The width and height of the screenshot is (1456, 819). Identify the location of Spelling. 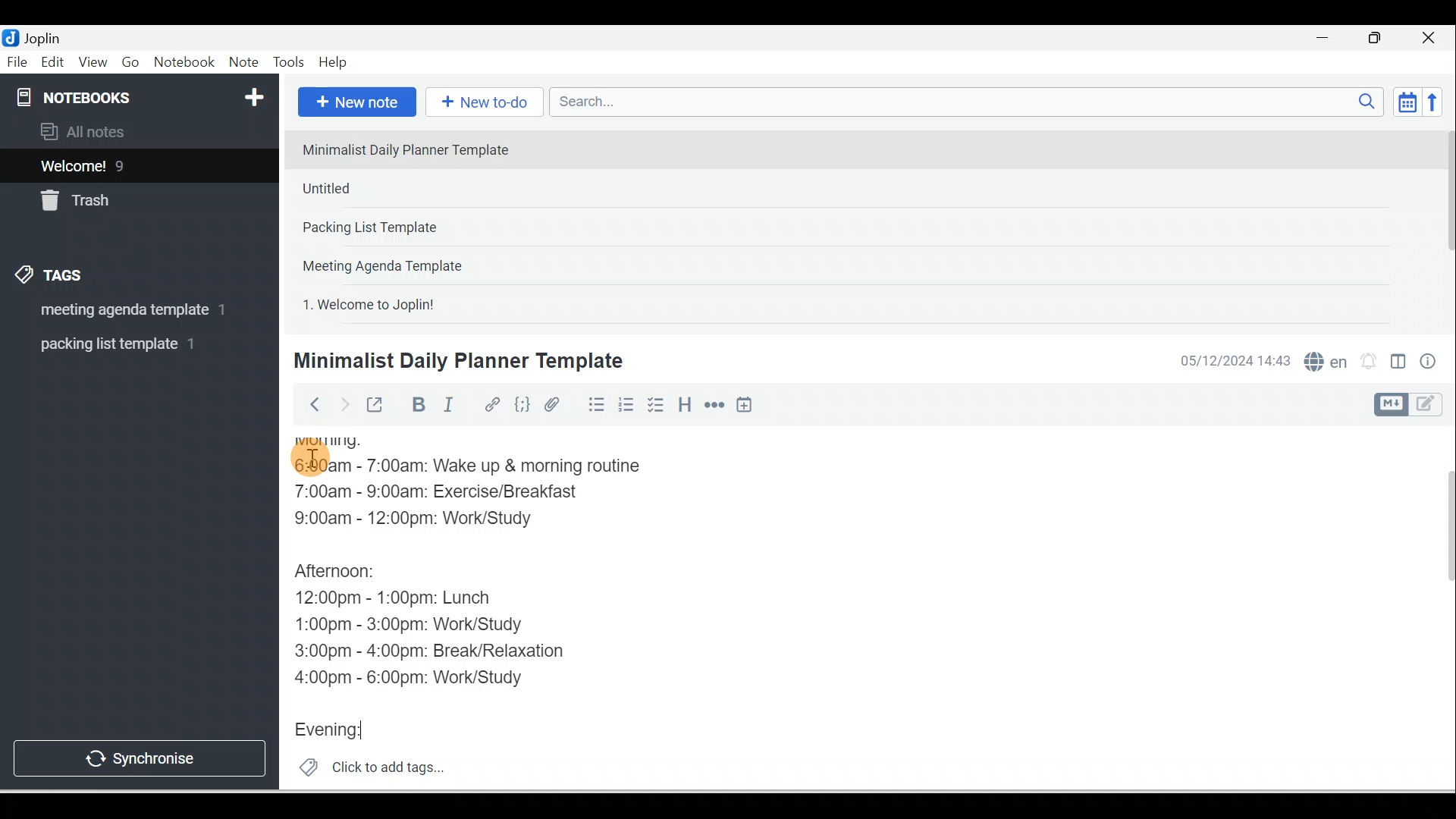
(1323, 359).